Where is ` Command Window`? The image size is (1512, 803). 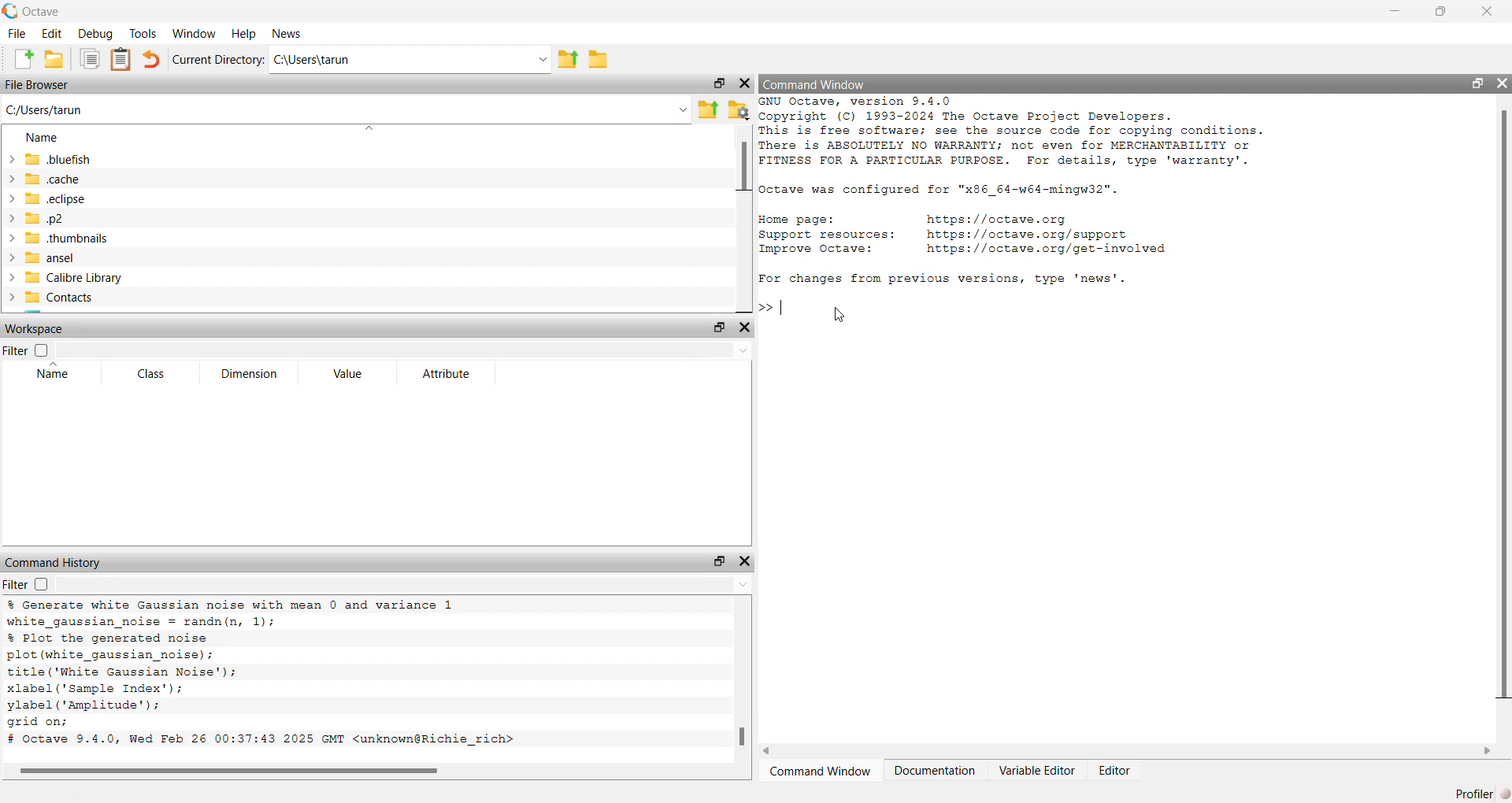  Command Window is located at coordinates (821, 771).